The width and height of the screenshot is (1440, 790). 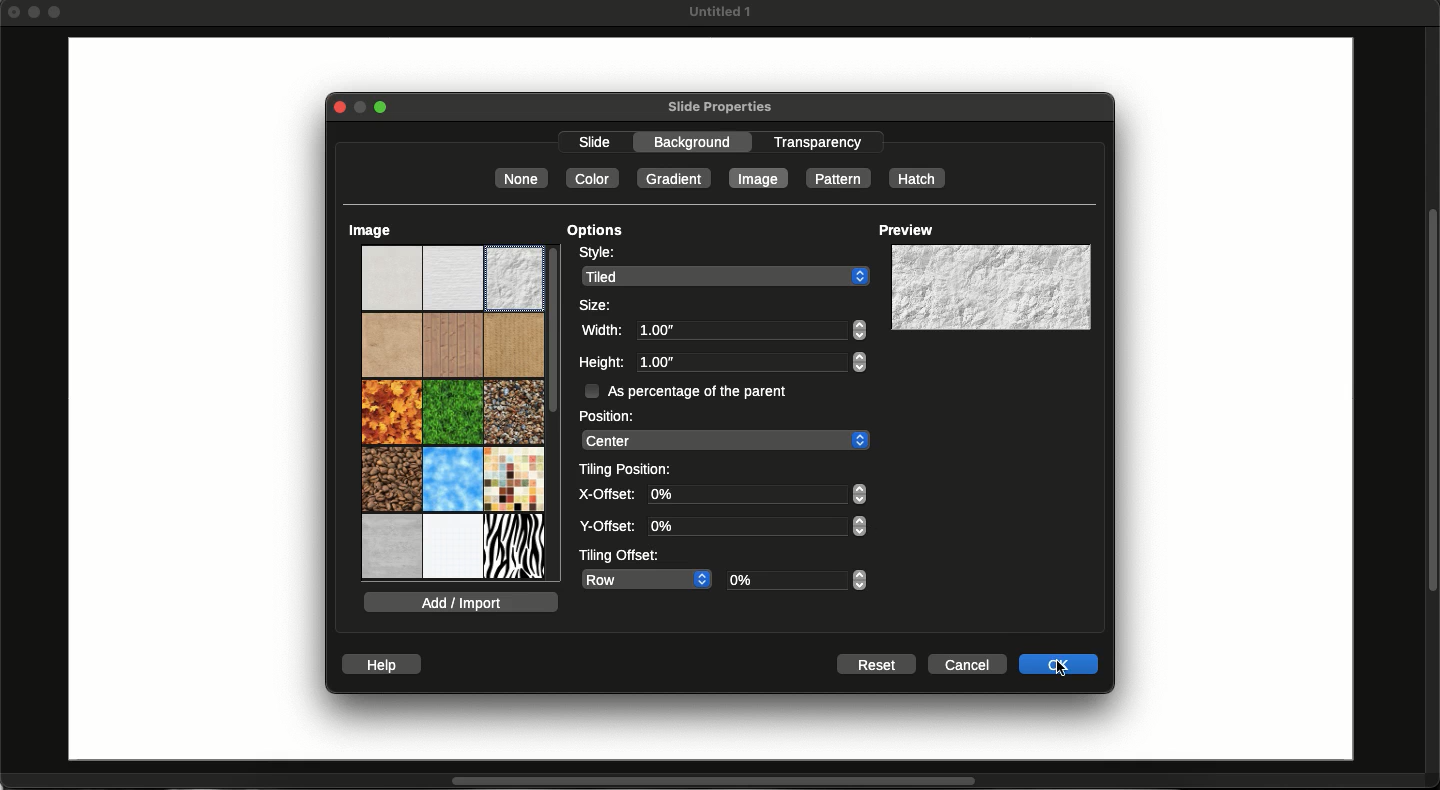 What do you see at coordinates (1060, 664) in the screenshot?
I see `OK` at bounding box center [1060, 664].